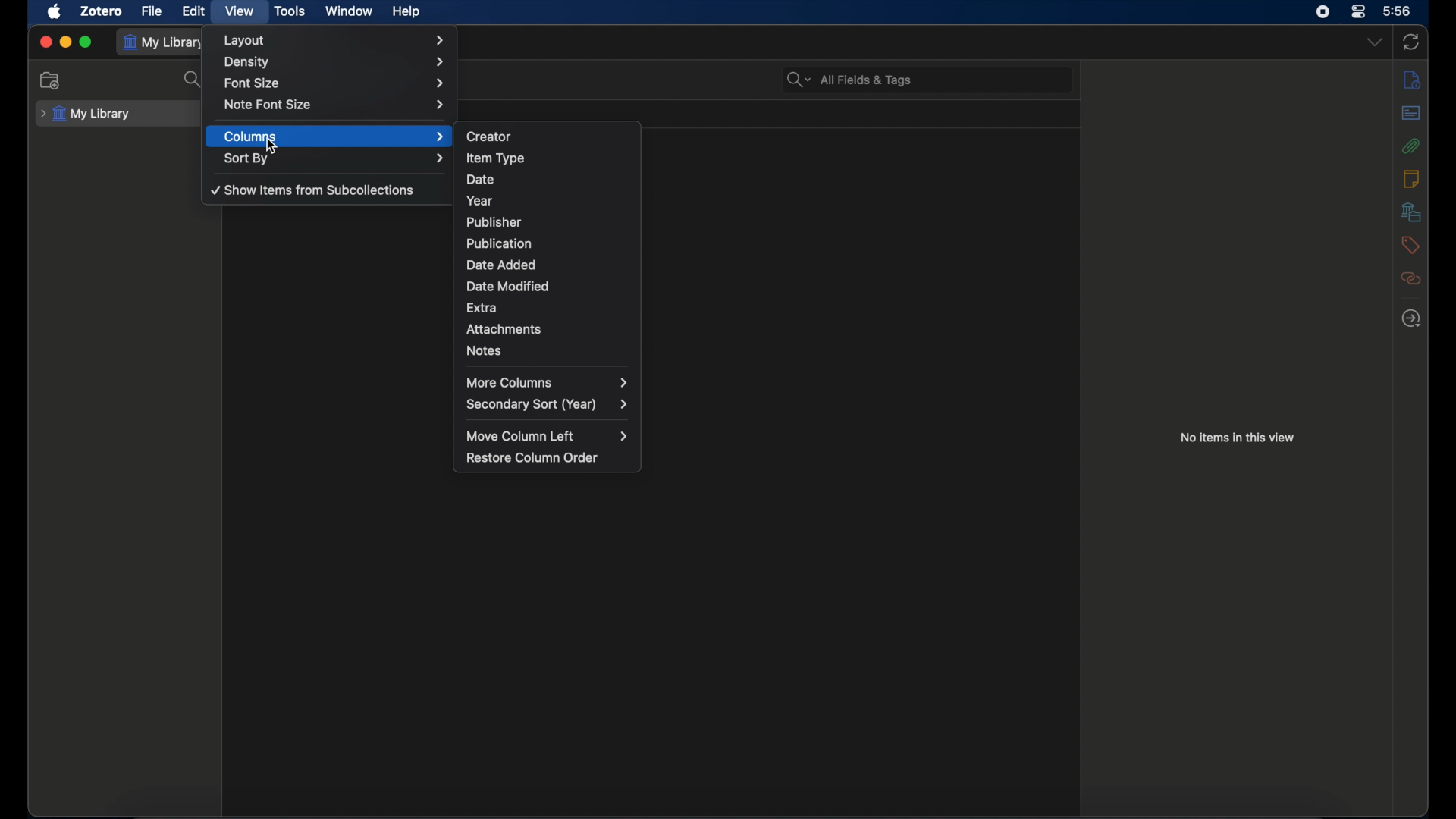 The width and height of the screenshot is (1456, 819). Describe the element at coordinates (547, 382) in the screenshot. I see `more columns` at that location.